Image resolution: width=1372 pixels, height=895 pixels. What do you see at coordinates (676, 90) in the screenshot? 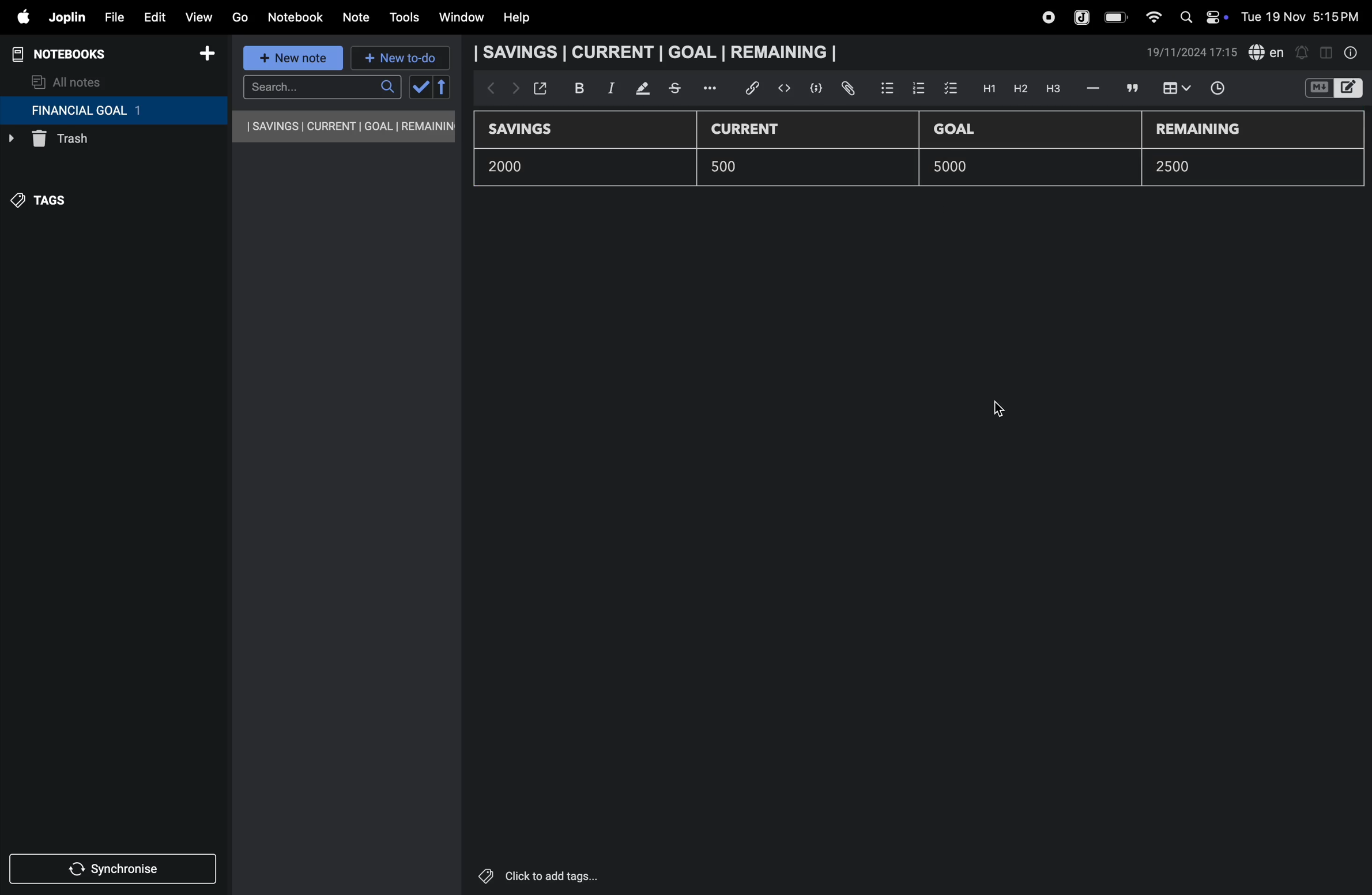
I see `stketchbook` at bounding box center [676, 90].